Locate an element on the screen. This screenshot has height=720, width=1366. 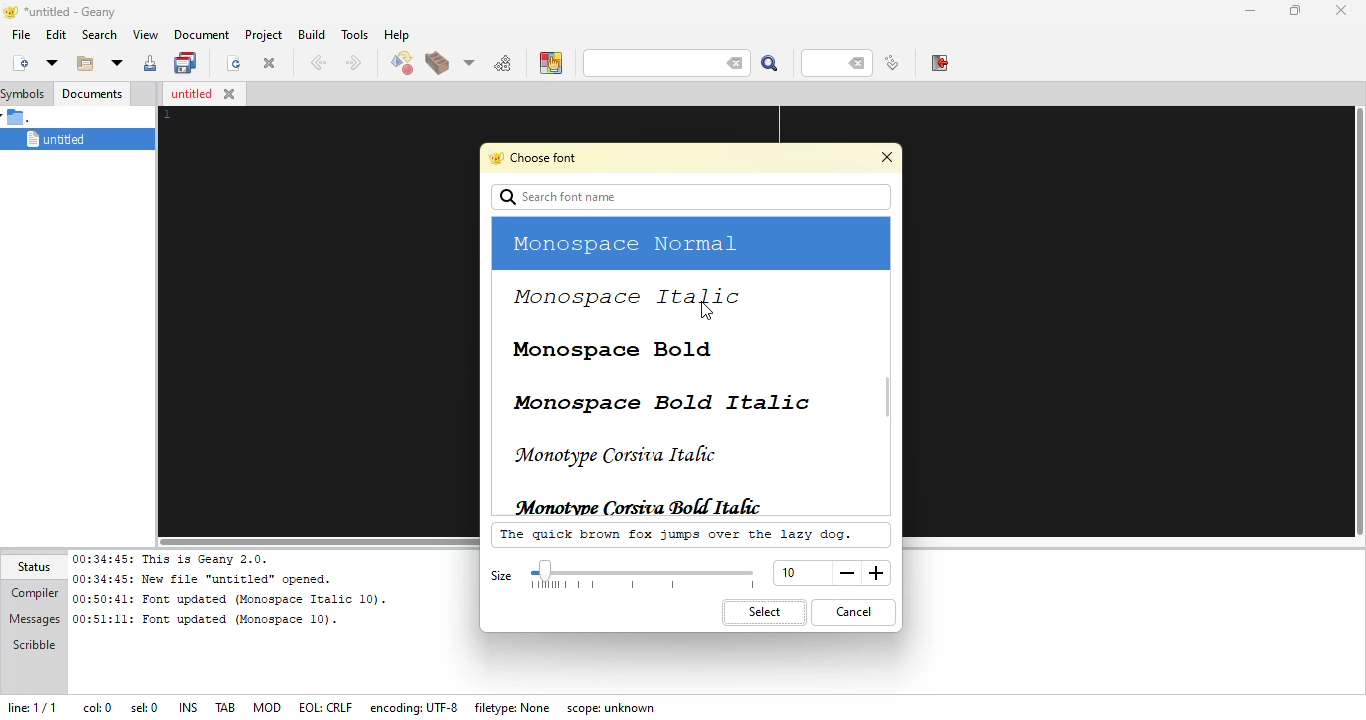
cursor is located at coordinates (708, 311).